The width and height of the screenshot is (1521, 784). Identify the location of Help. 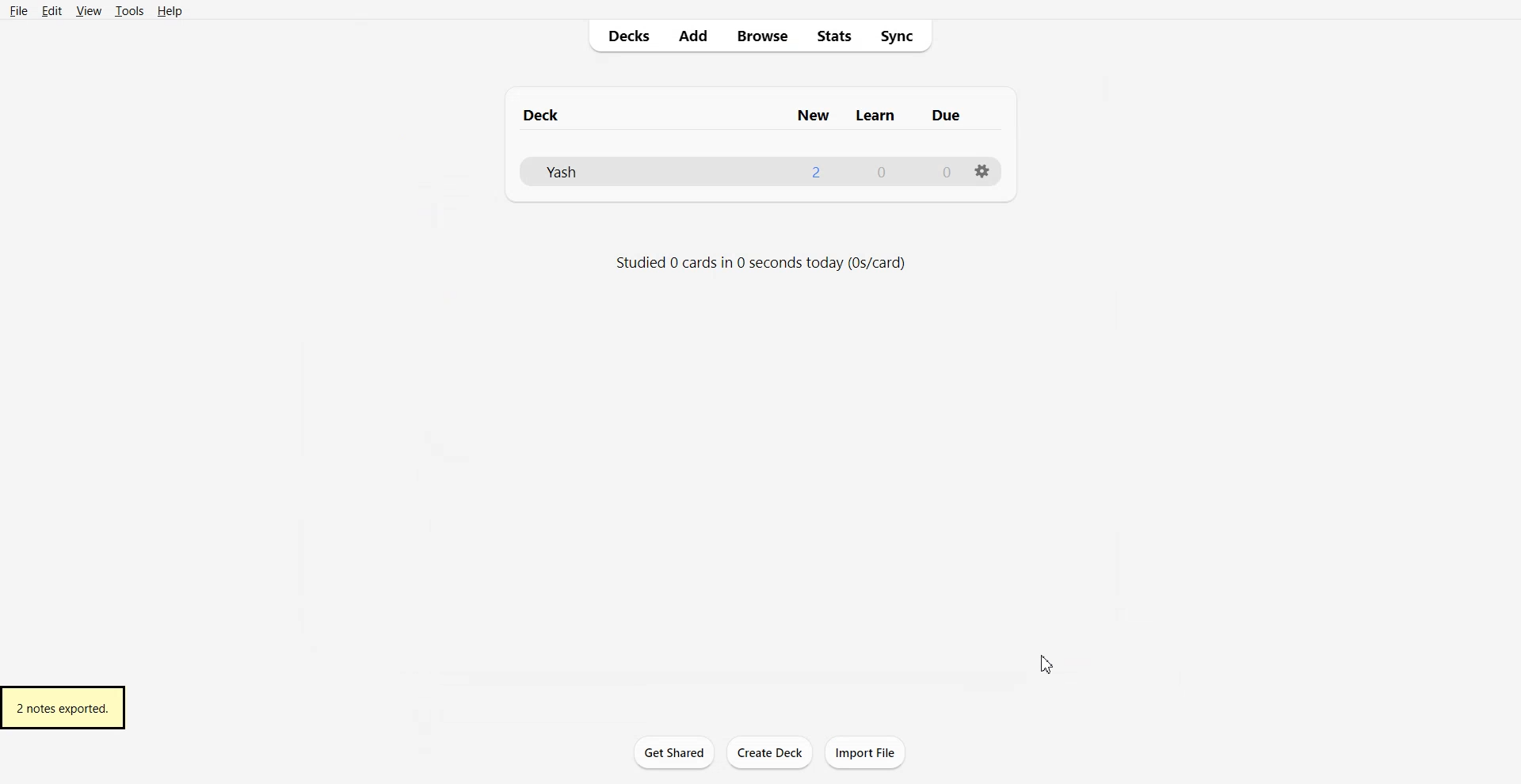
(170, 12).